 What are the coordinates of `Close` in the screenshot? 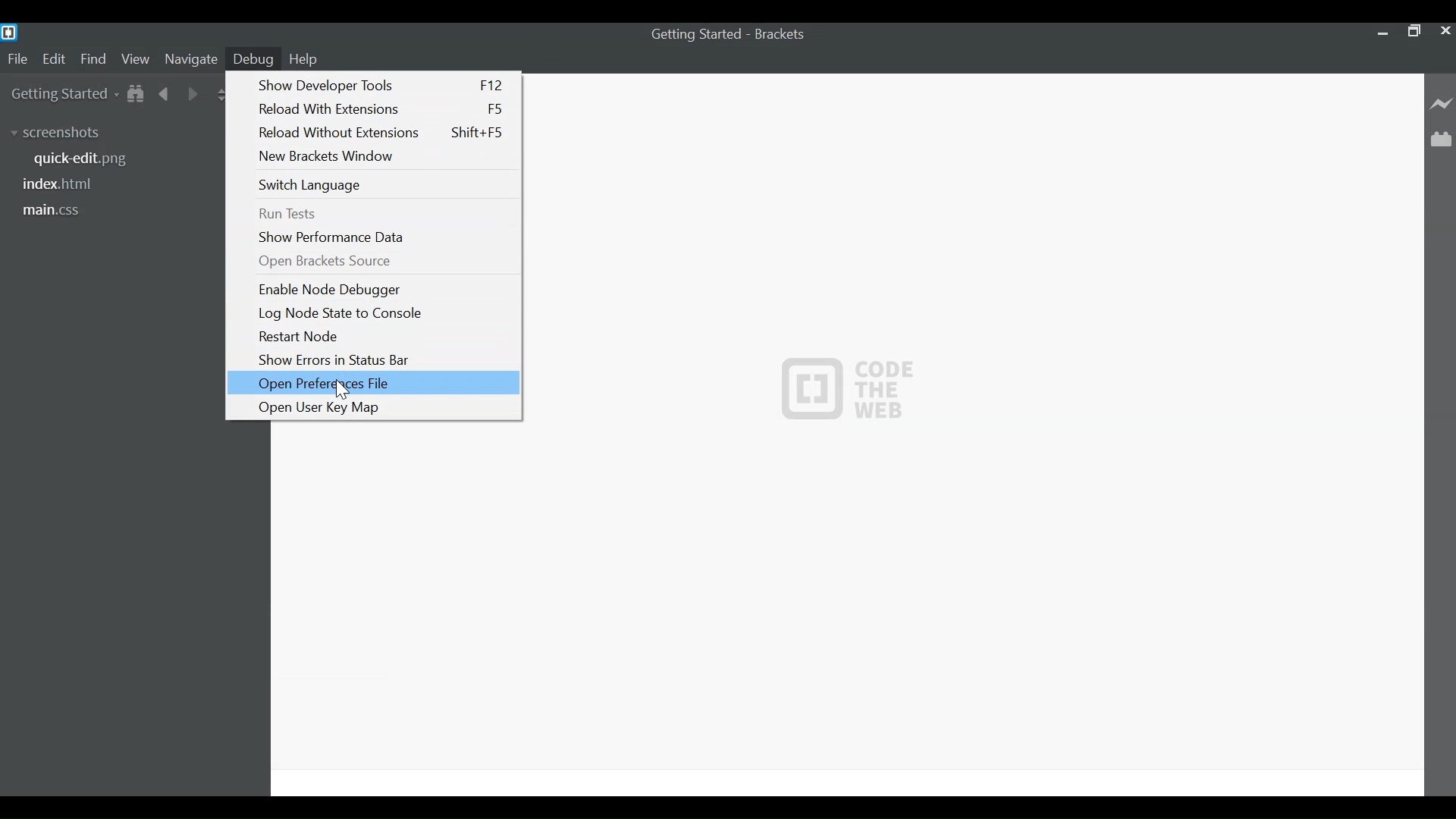 It's located at (1446, 33).